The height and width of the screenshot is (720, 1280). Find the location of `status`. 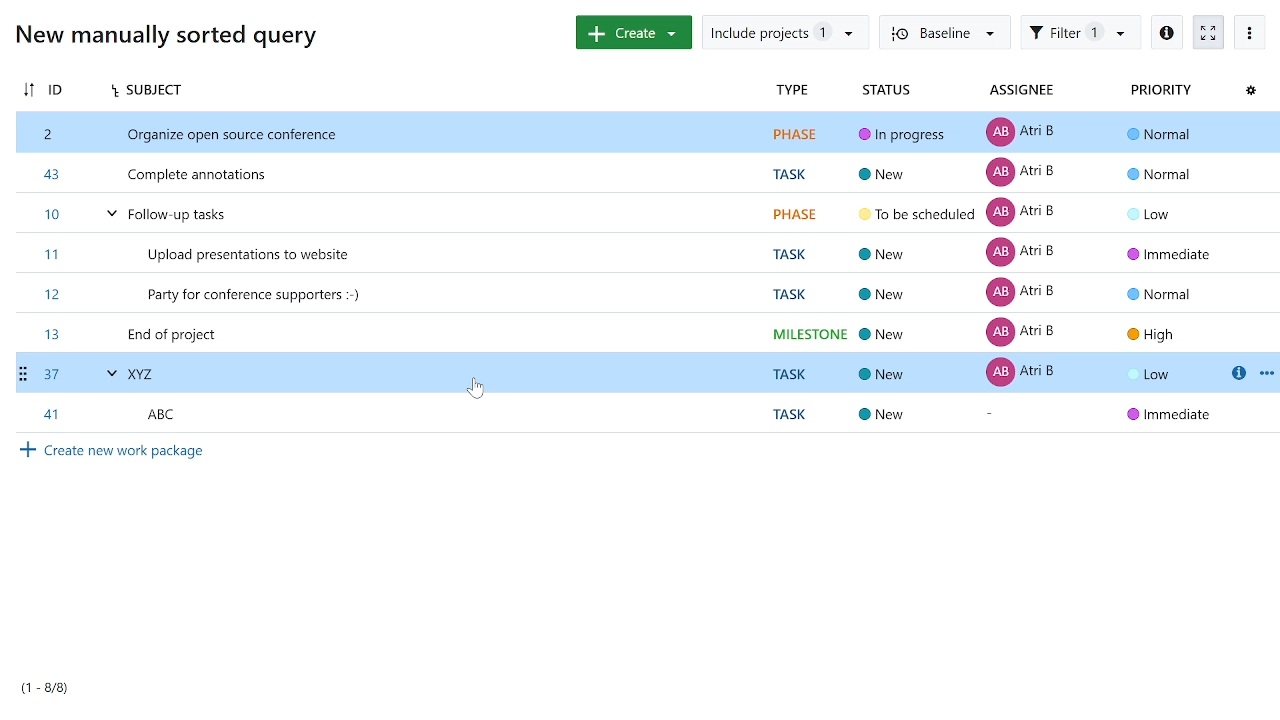

status is located at coordinates (888, 92).